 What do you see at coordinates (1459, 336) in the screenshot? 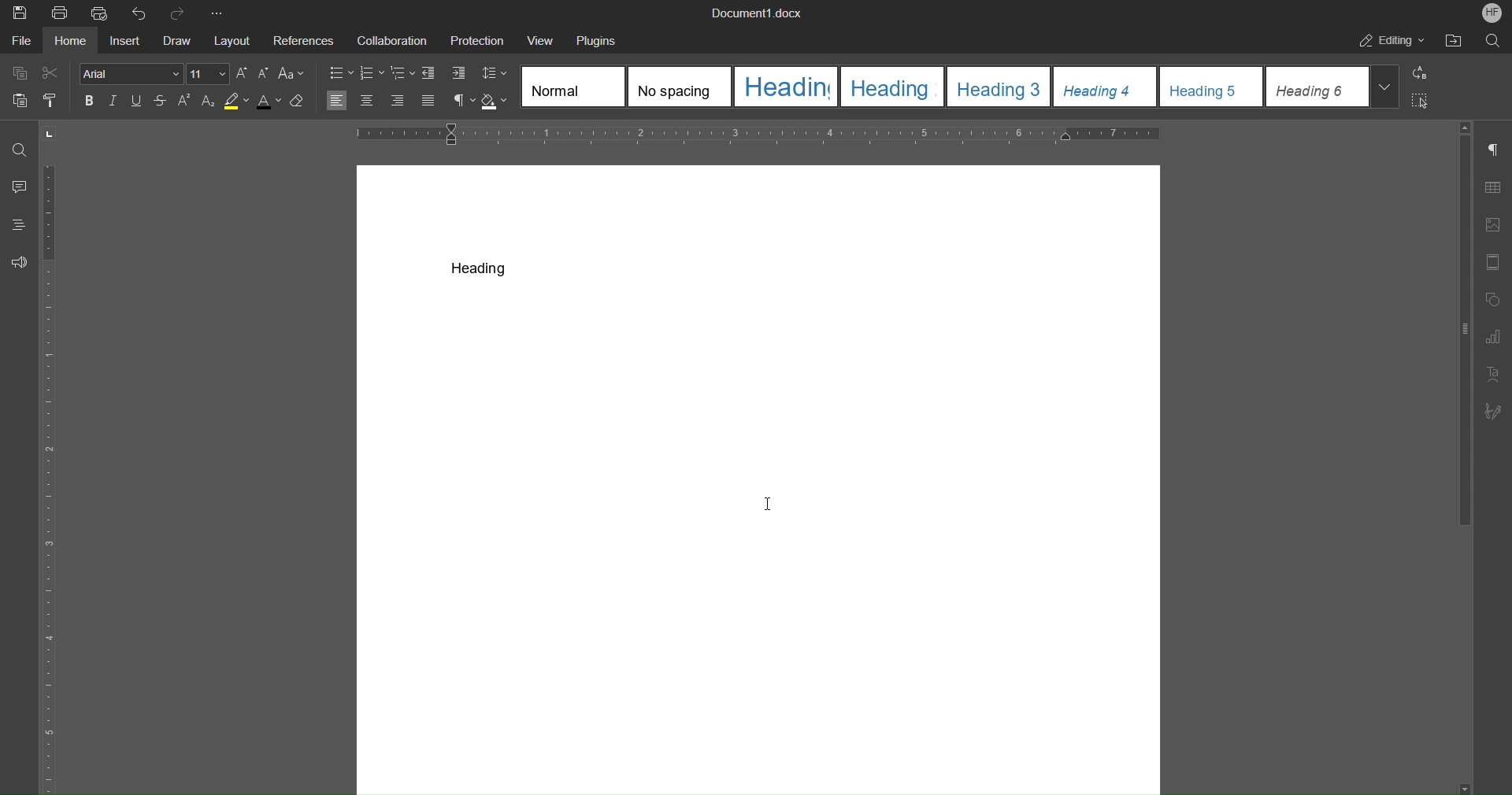
I see `vertical scroll bar` at bounding box center [1459, 336].